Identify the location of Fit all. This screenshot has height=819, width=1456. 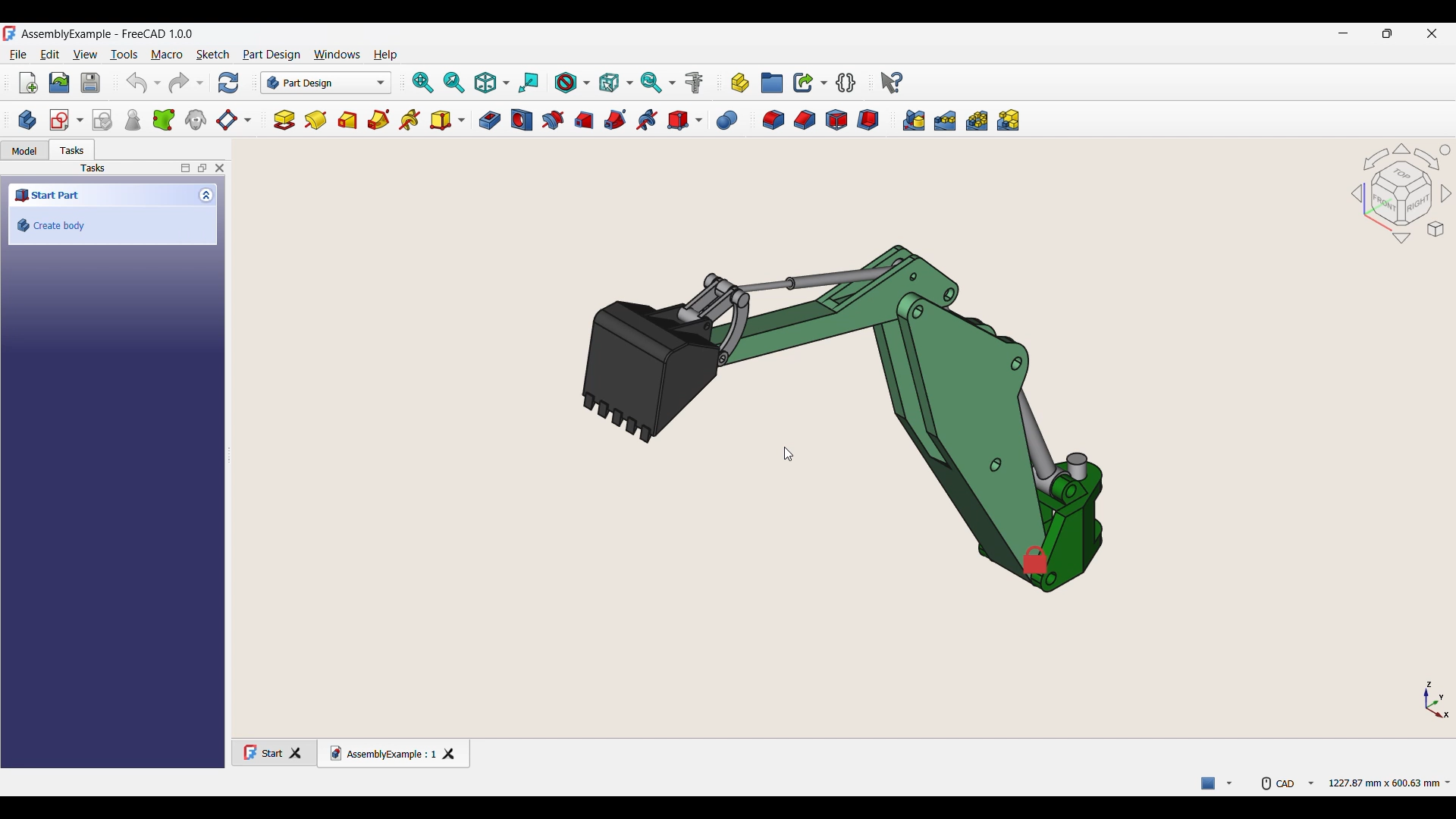
(423, 83).